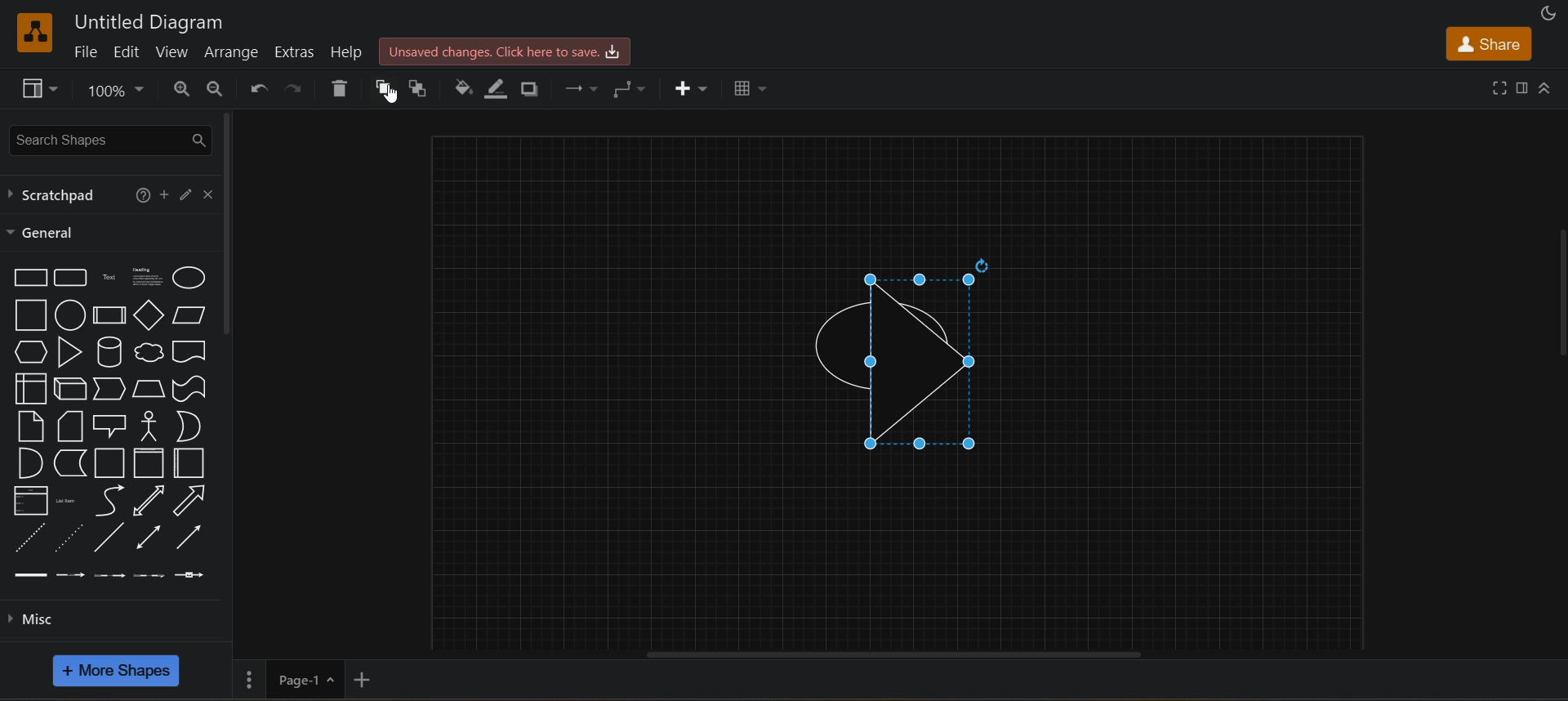 This screenshot has width=1568, height=701. What do you see at coordinates (189, 537) in the screenshot?
I see `directional connector` at bounding box center [189, 537].